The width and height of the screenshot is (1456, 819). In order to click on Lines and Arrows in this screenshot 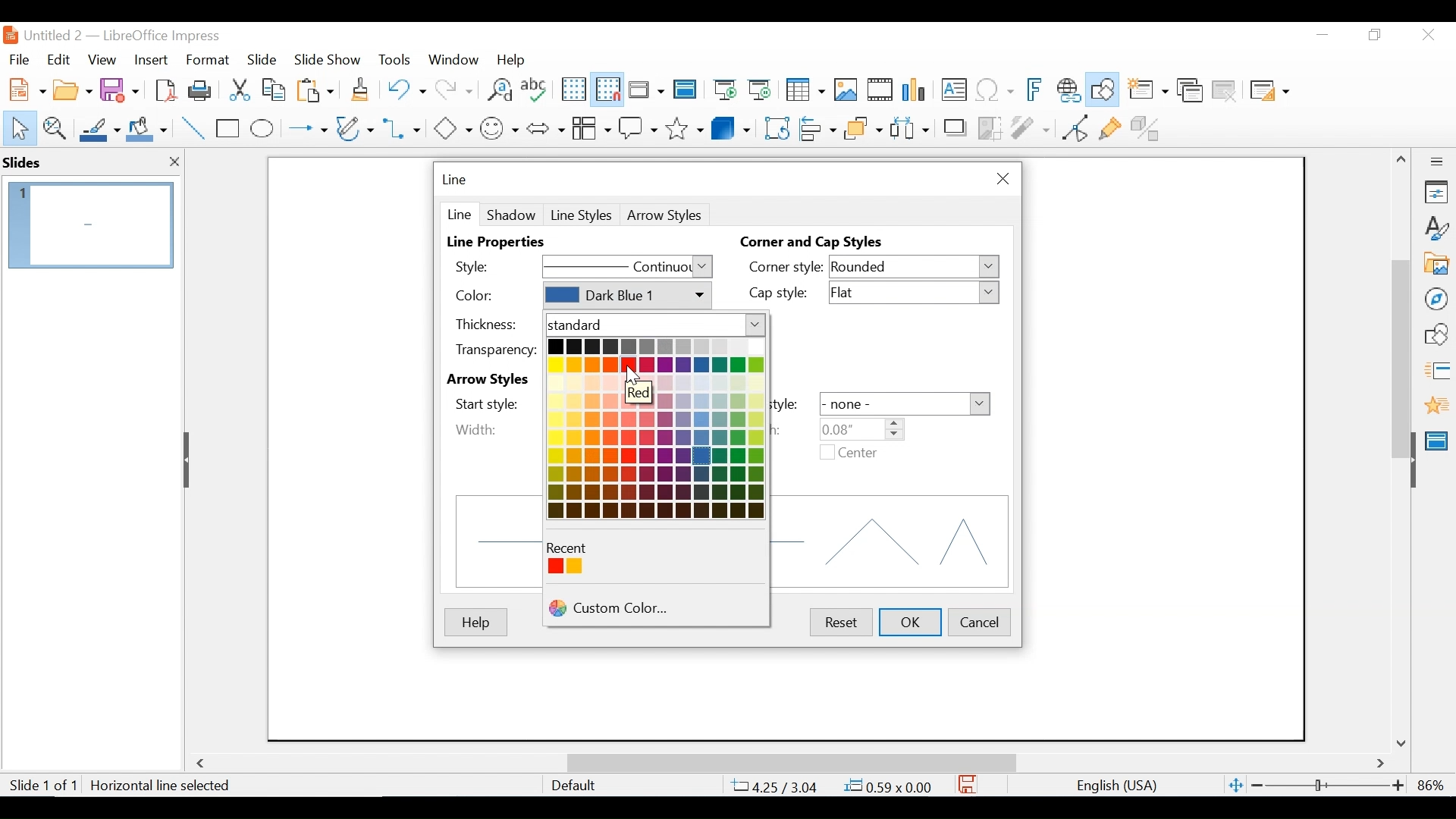, I will do `click(304, 129)`.